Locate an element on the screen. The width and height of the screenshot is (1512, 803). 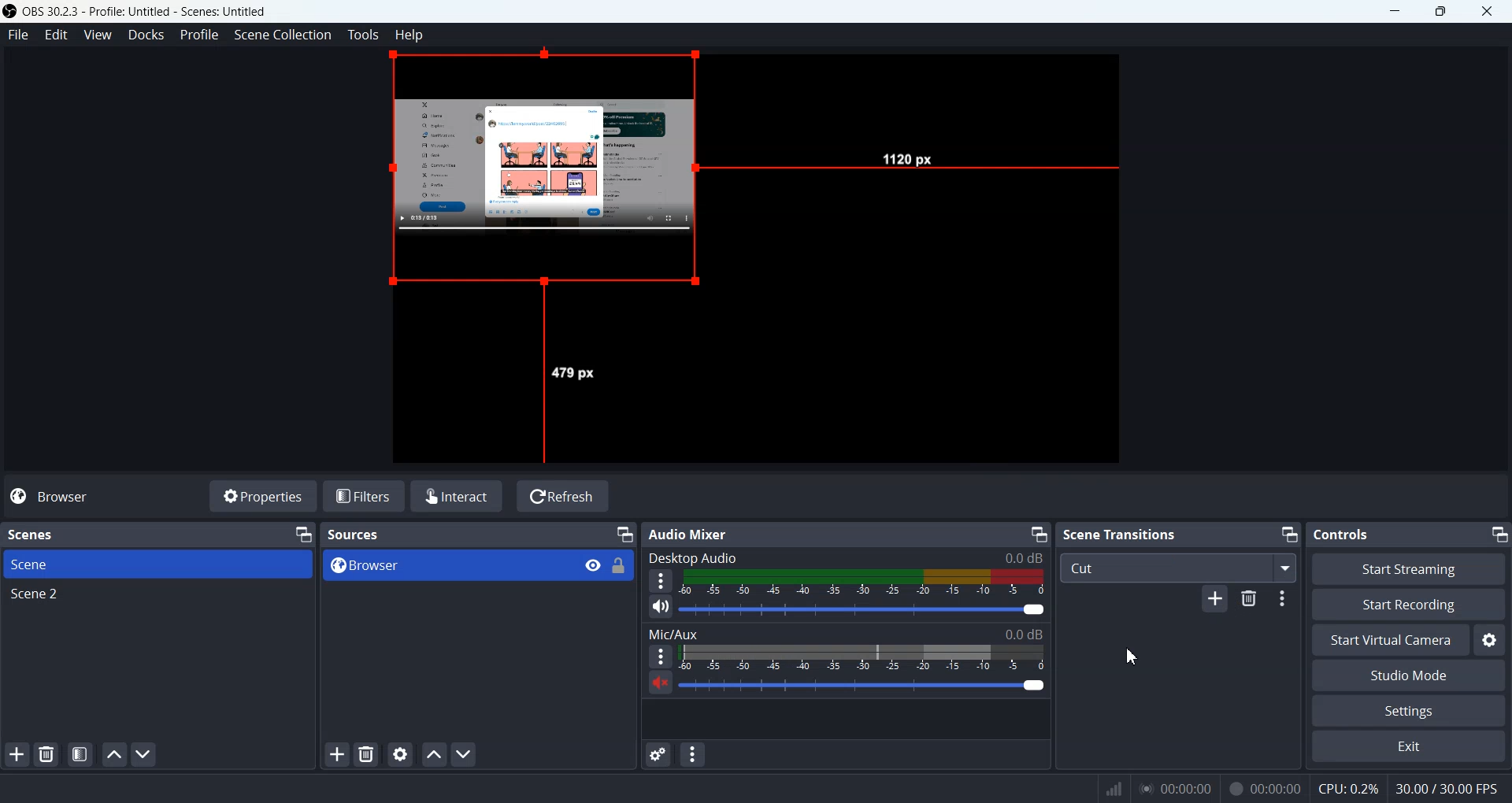
More is located at coordinates (660, 655).